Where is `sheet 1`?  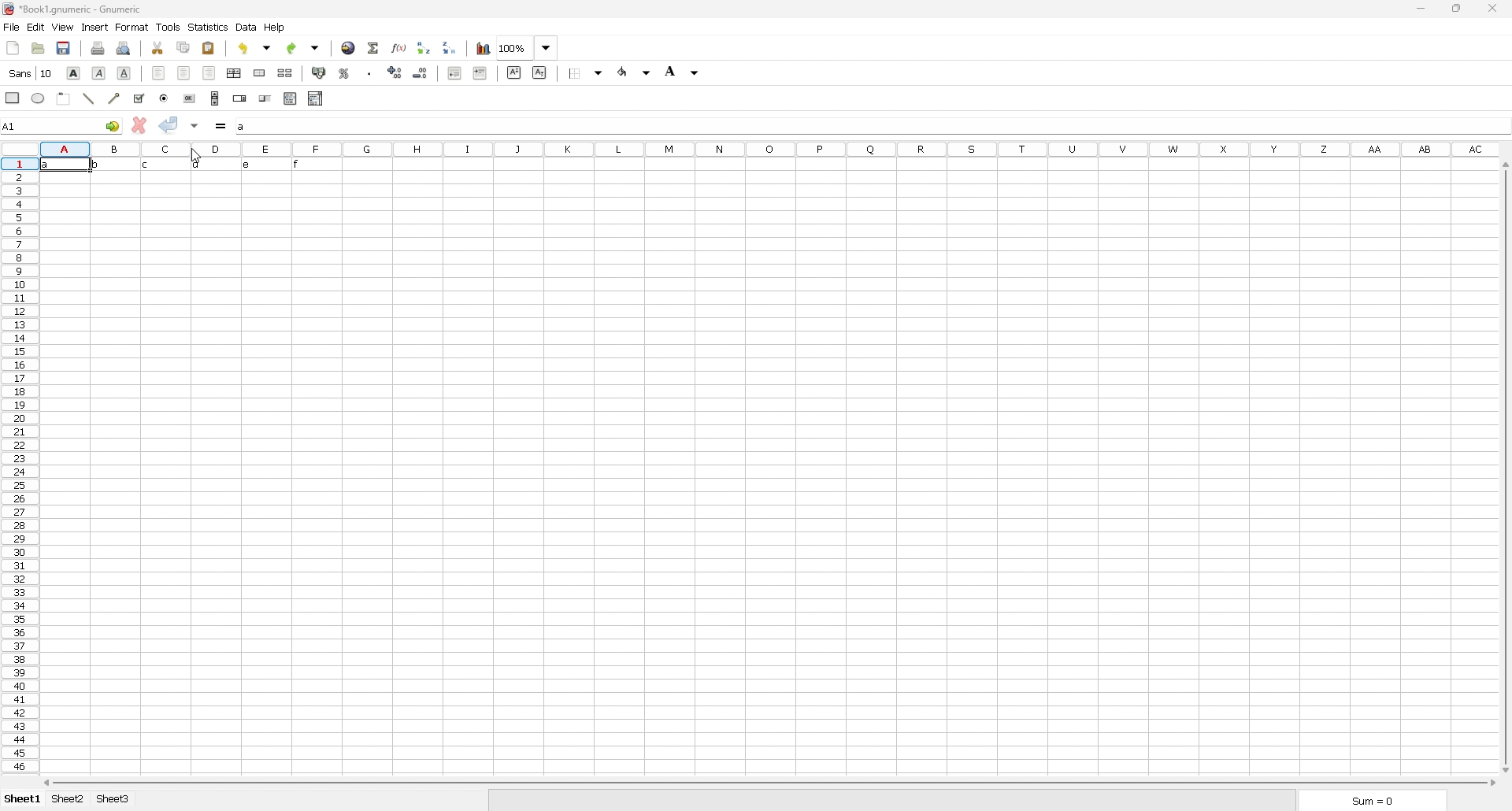
sheet 1 is located at coordinates (23, 799).